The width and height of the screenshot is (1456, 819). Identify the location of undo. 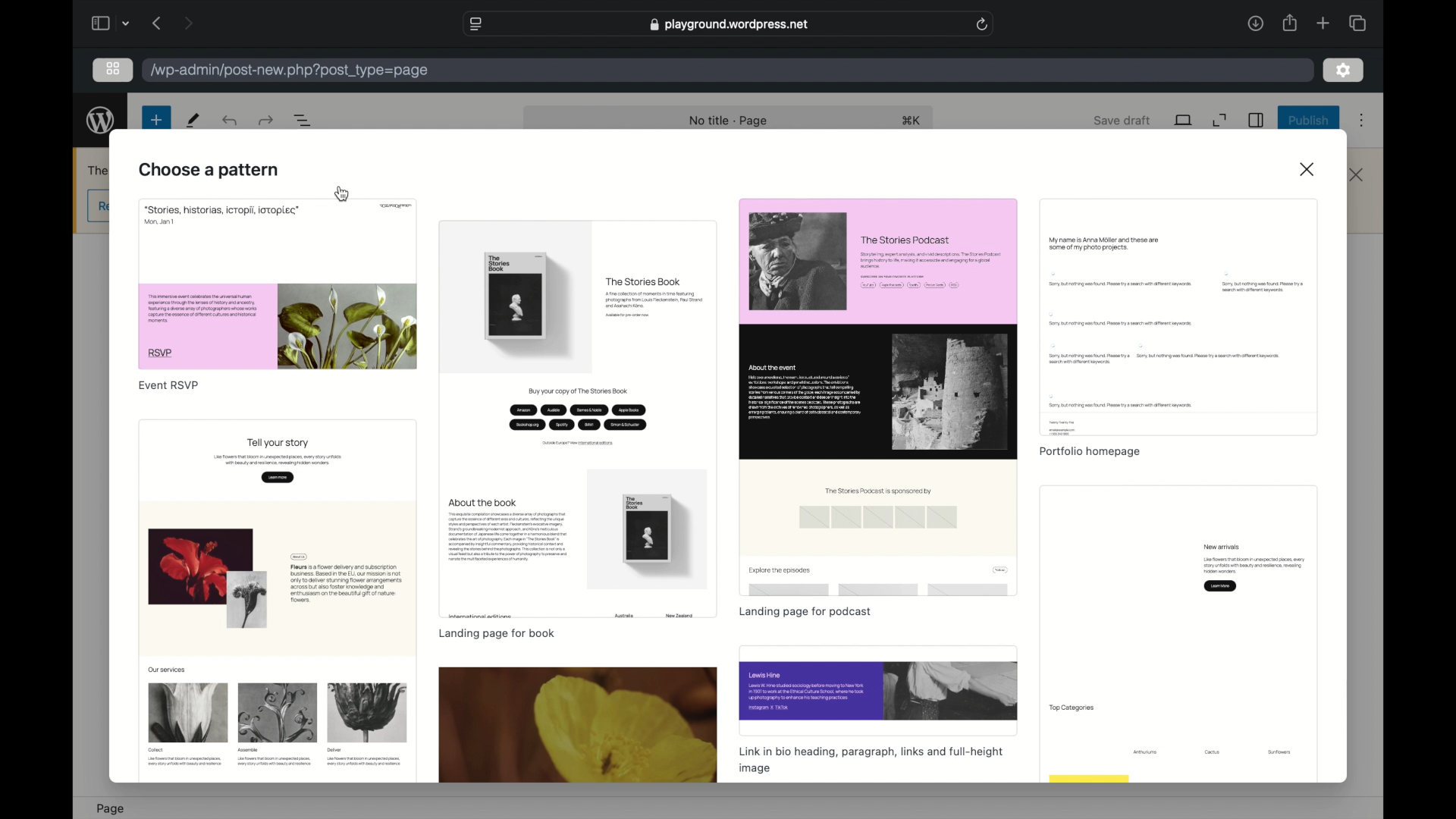
(265, 121).